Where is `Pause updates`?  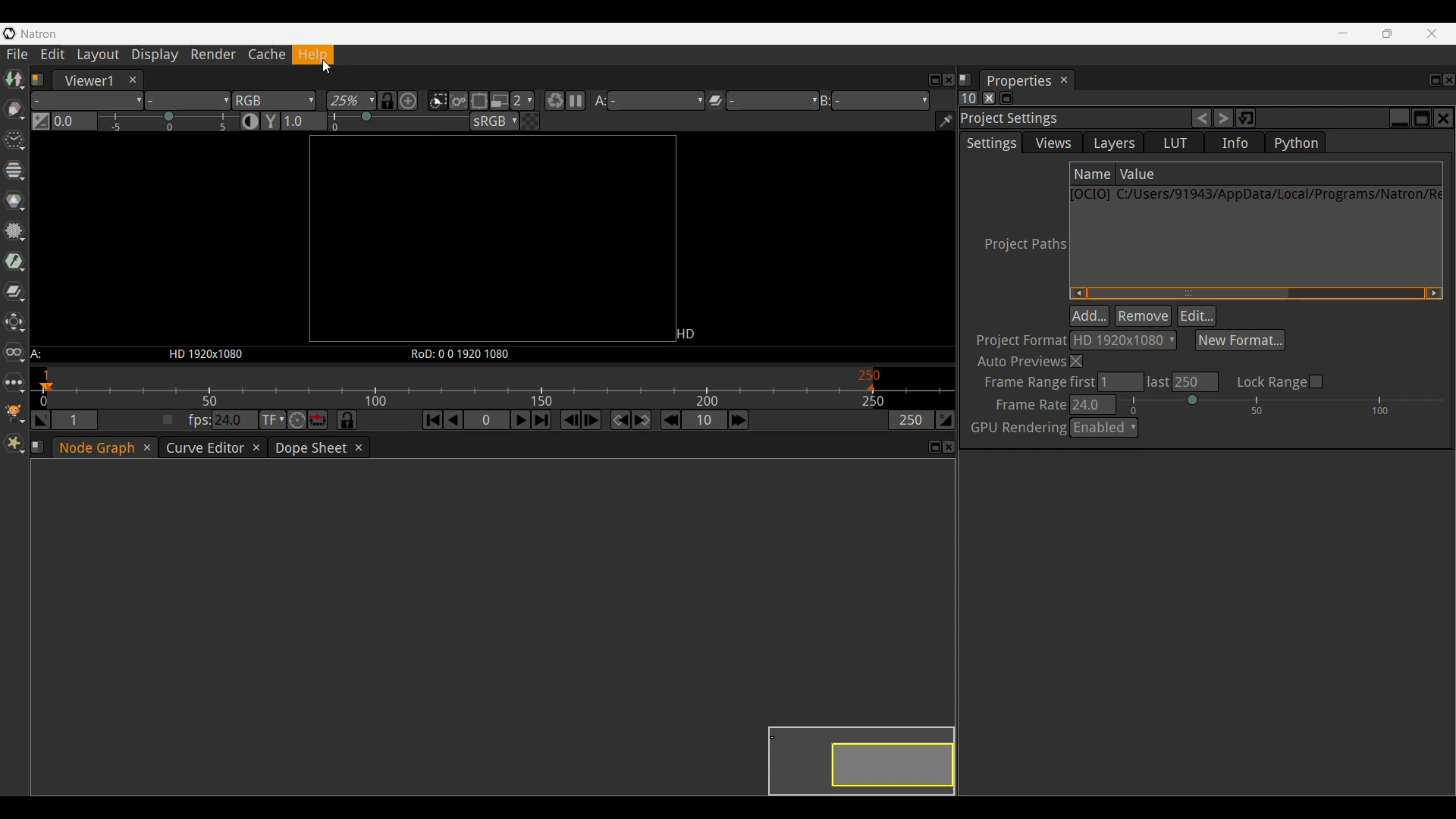 Pause updates is located at coordinates (575, 101).